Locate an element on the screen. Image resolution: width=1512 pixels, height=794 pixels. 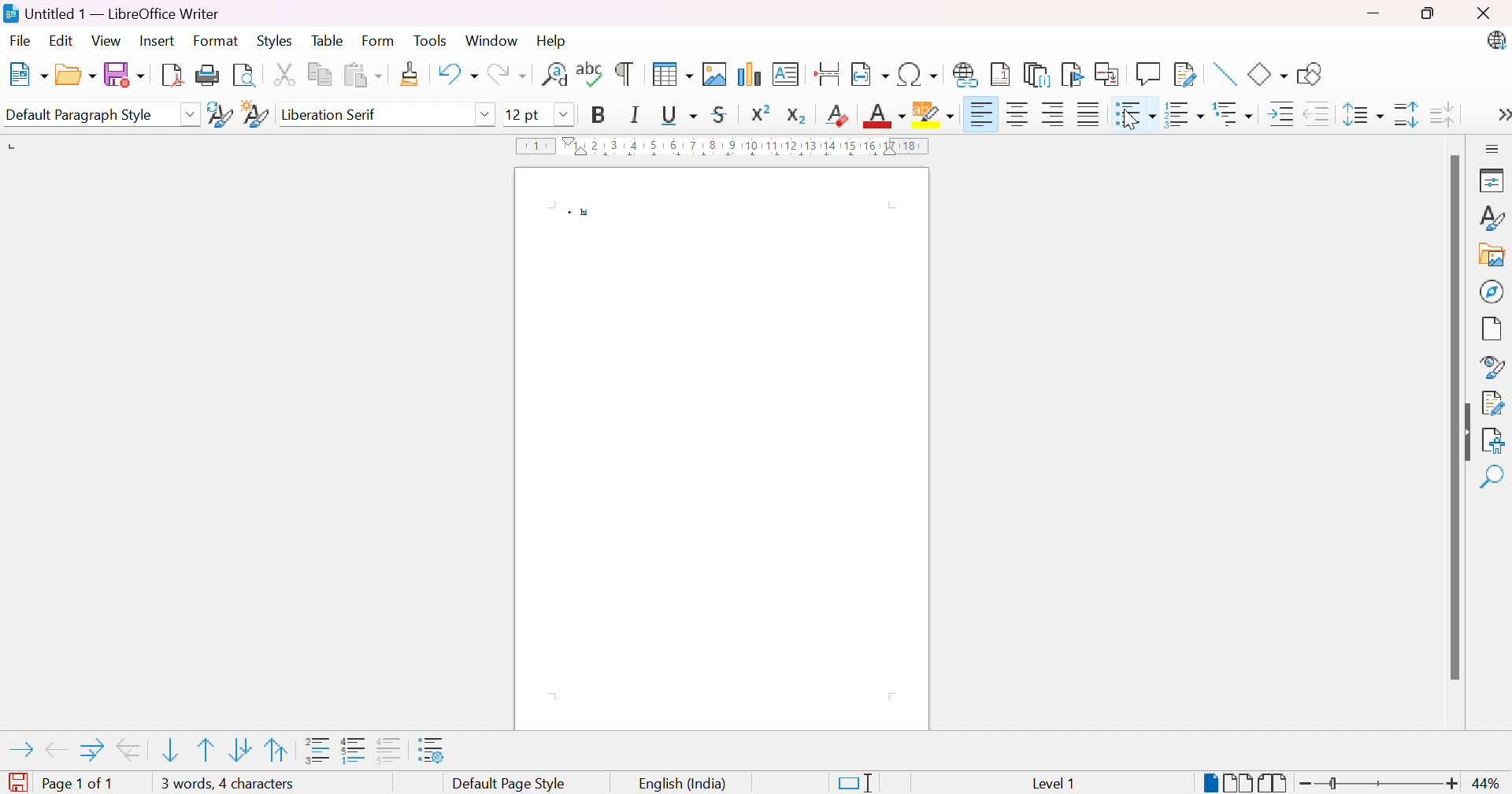
12pt is located at coordinates (521, 114).